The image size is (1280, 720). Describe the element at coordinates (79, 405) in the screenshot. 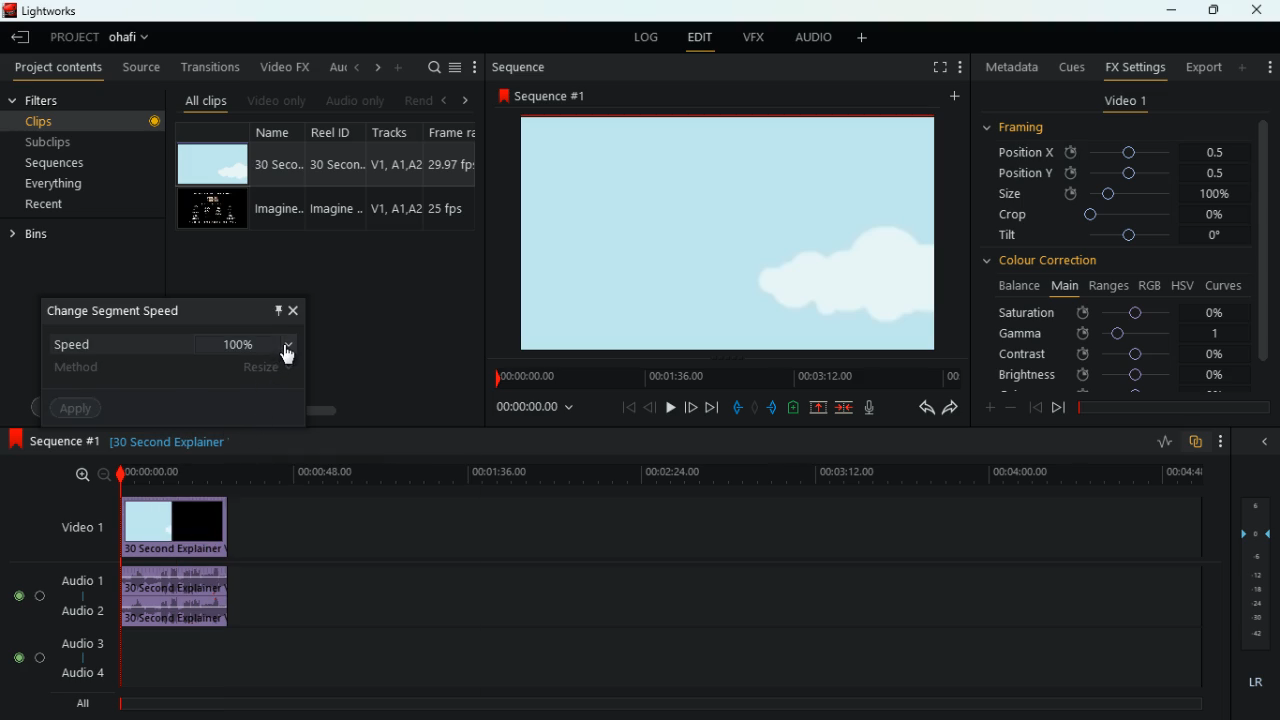

I see `apply` at that location.